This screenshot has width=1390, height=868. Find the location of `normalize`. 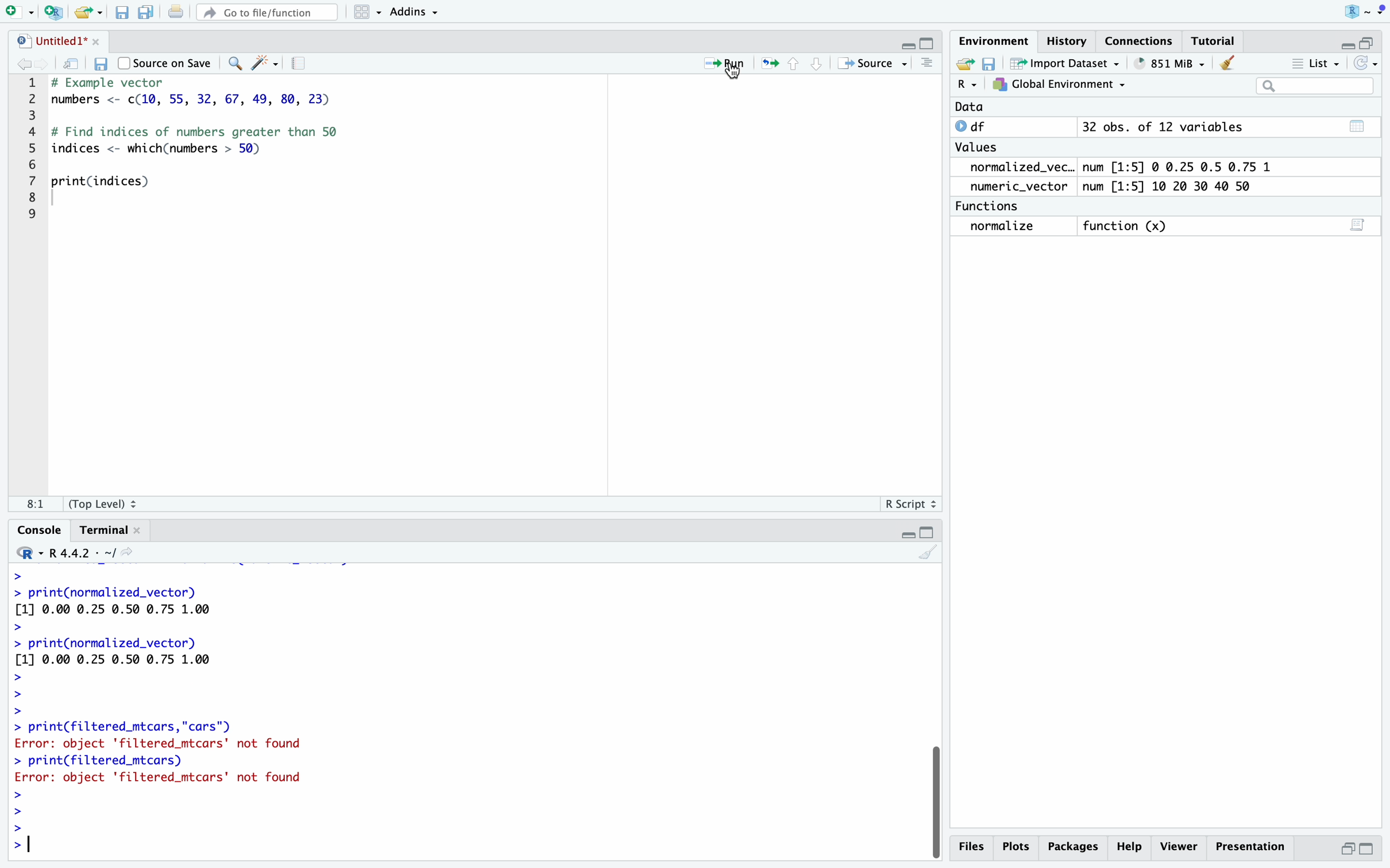

normalize is located at coordinates (1013, 227).